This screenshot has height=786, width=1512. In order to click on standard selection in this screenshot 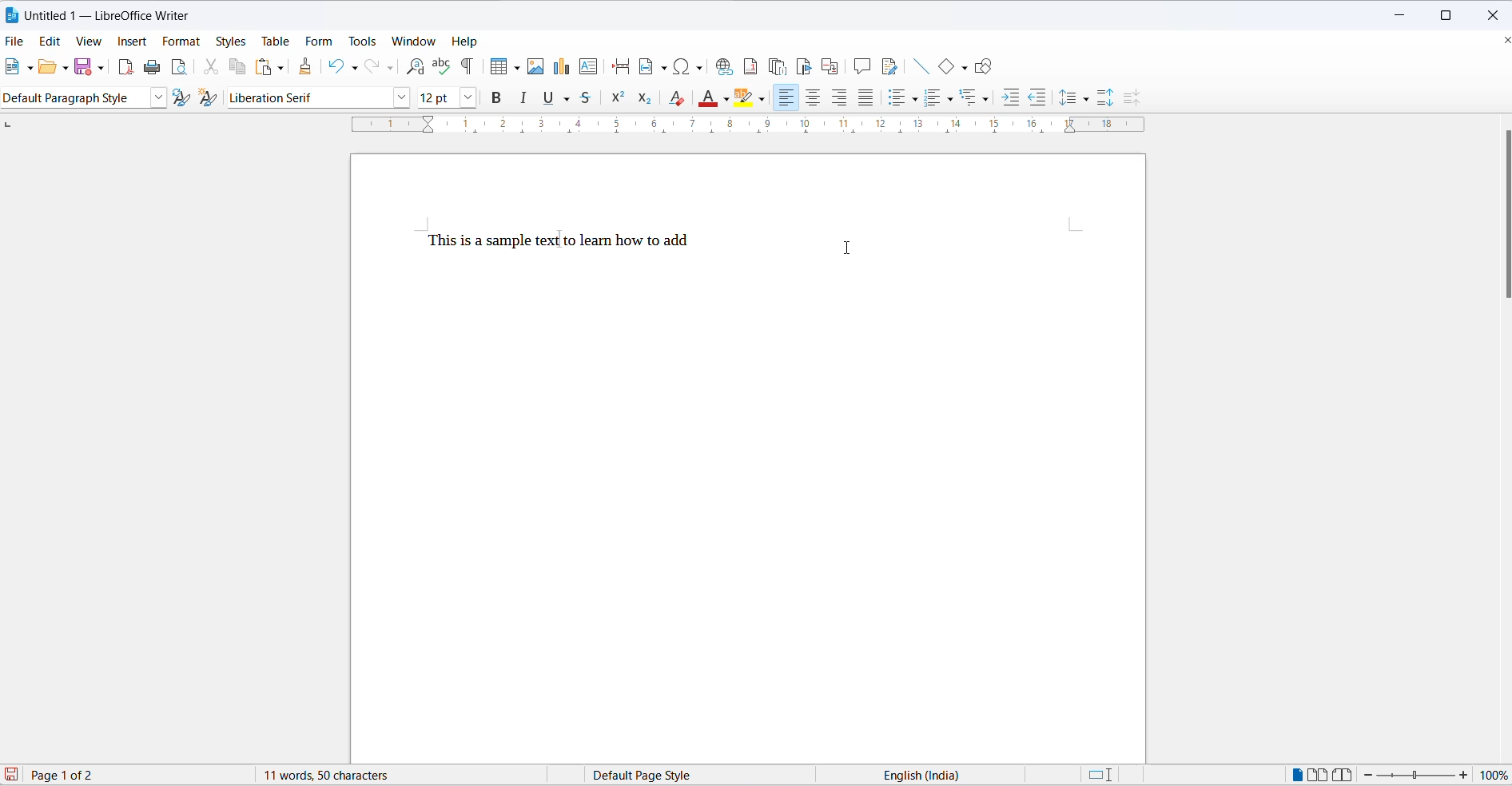, I will do `click(1100, 776)`.